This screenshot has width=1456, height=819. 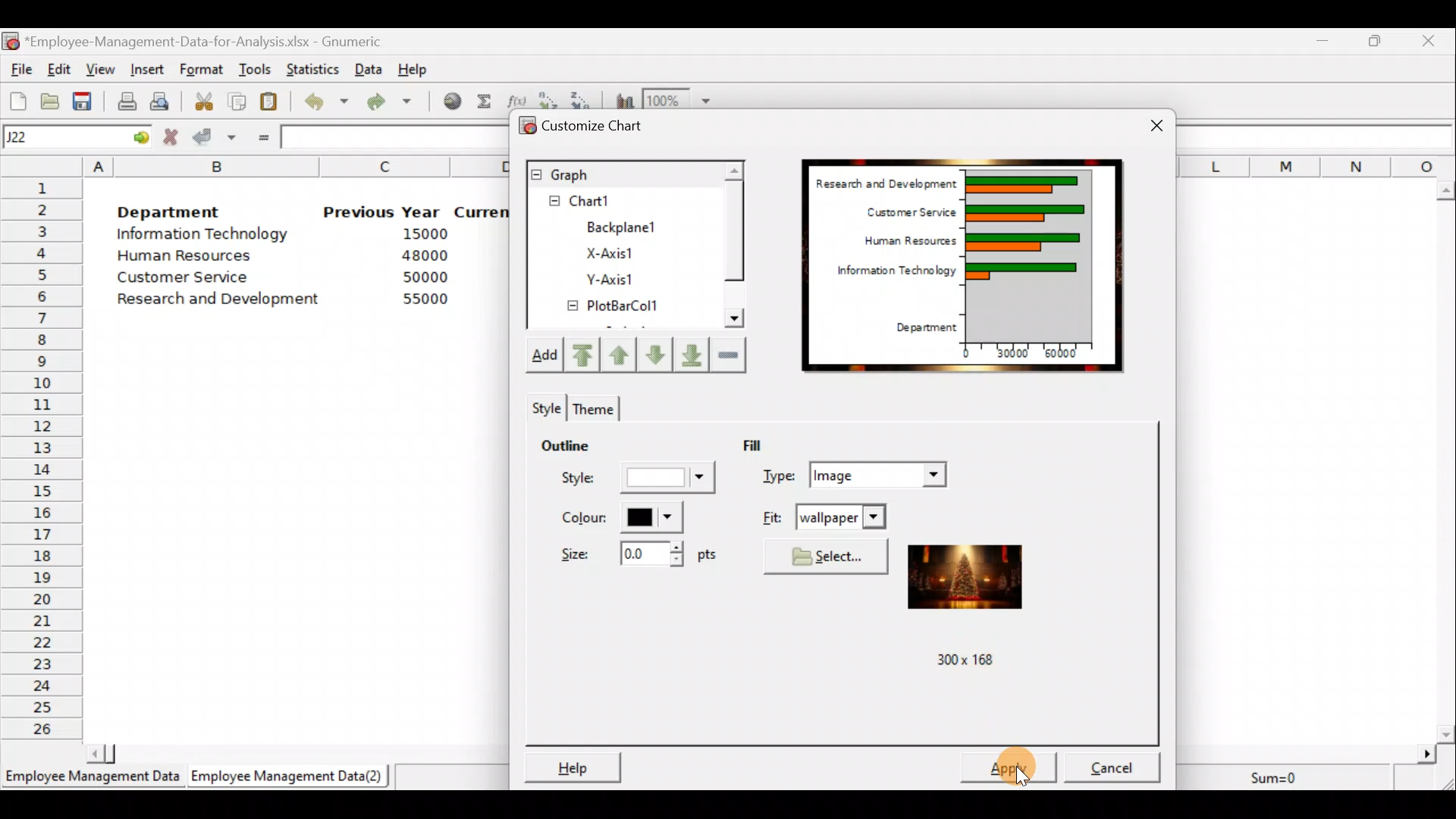 I want to click on Insert hyperlink, so click(x=450, y=104).